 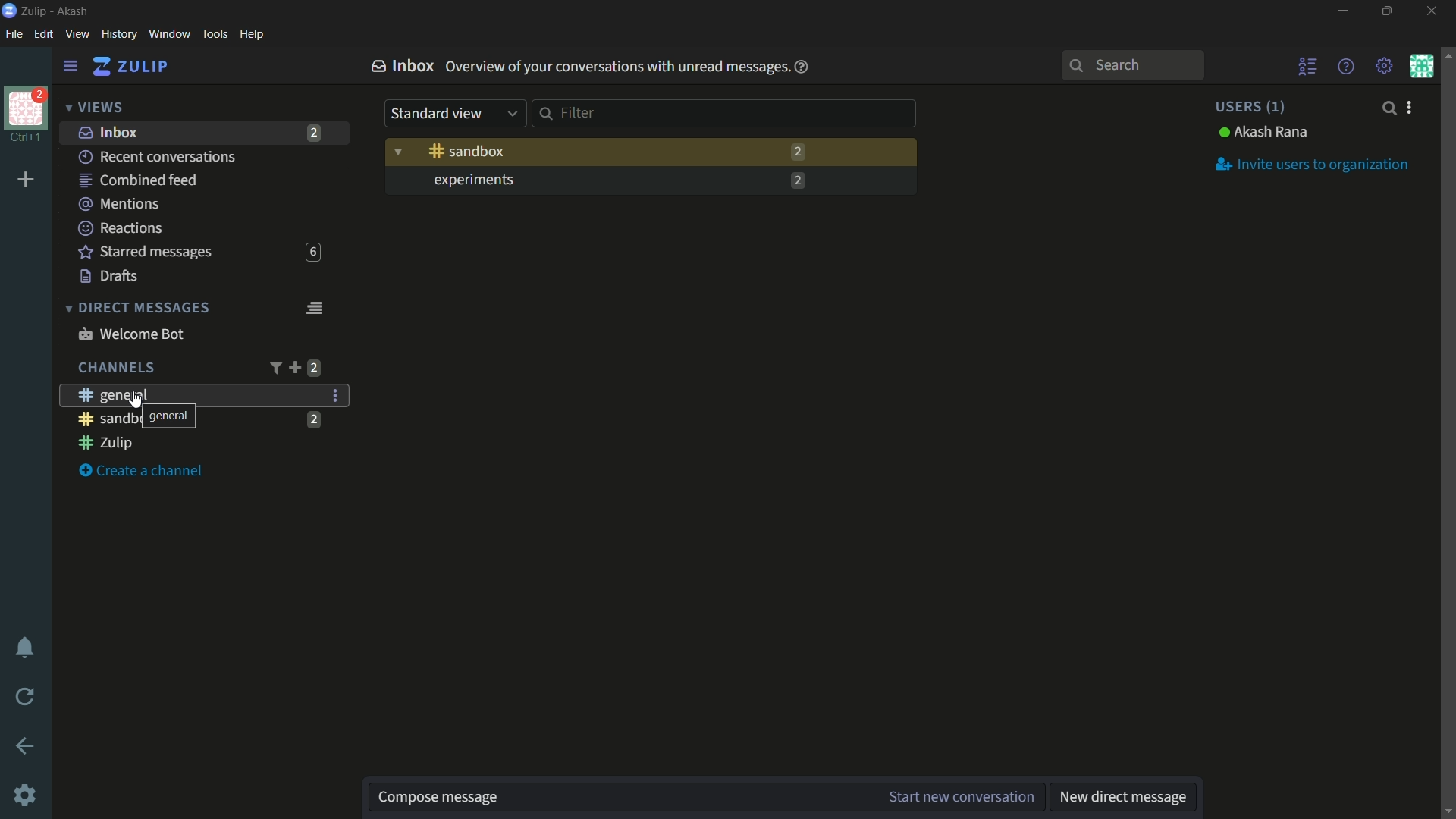 What do you see at coordinates (468, 151) in the screenshot?
I see `` at bounding box center [468, 151].